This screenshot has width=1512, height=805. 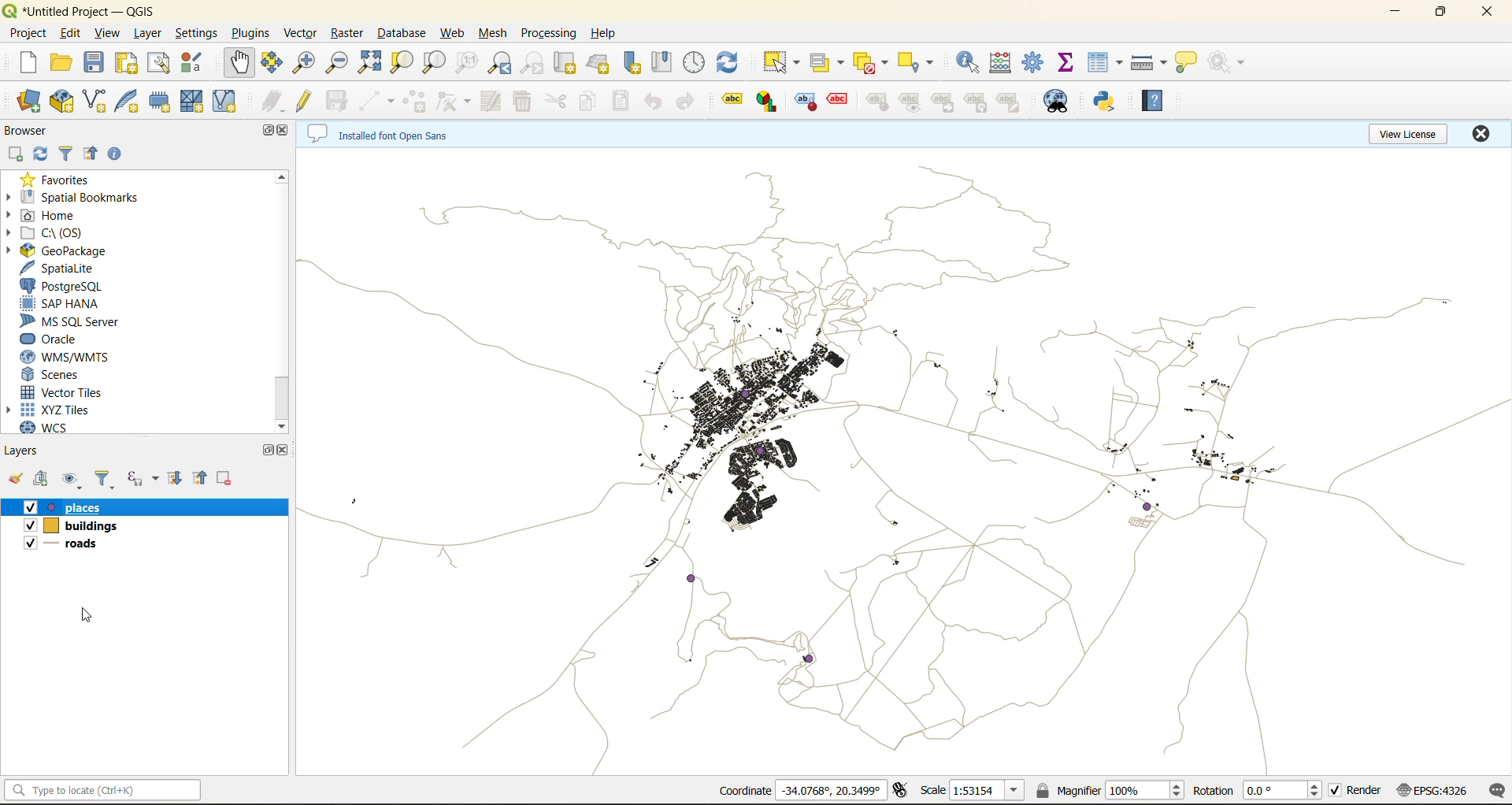 I want to click on label tool, so click(x=945, y=102).